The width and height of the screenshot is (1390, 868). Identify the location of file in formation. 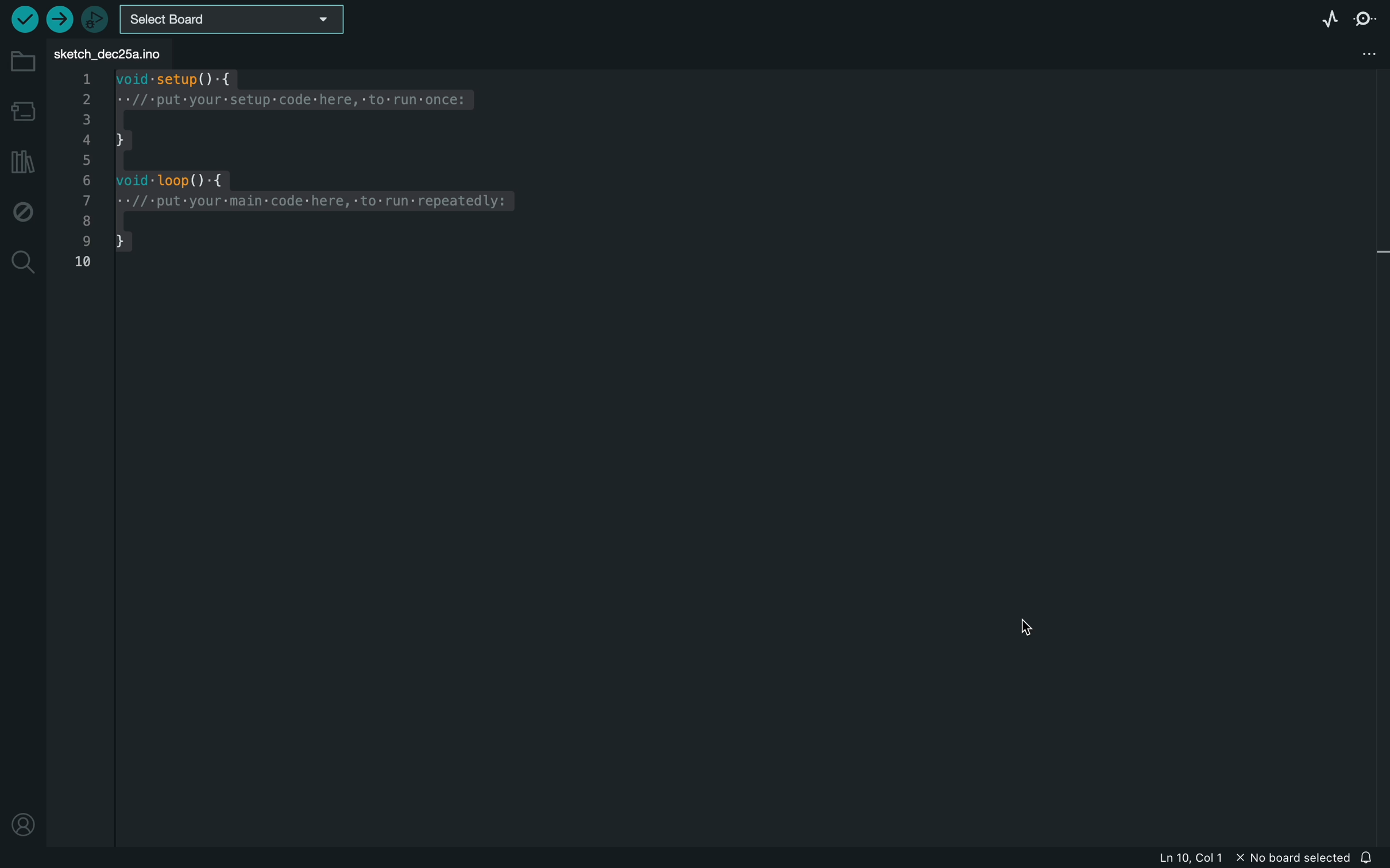
(1211, 859).